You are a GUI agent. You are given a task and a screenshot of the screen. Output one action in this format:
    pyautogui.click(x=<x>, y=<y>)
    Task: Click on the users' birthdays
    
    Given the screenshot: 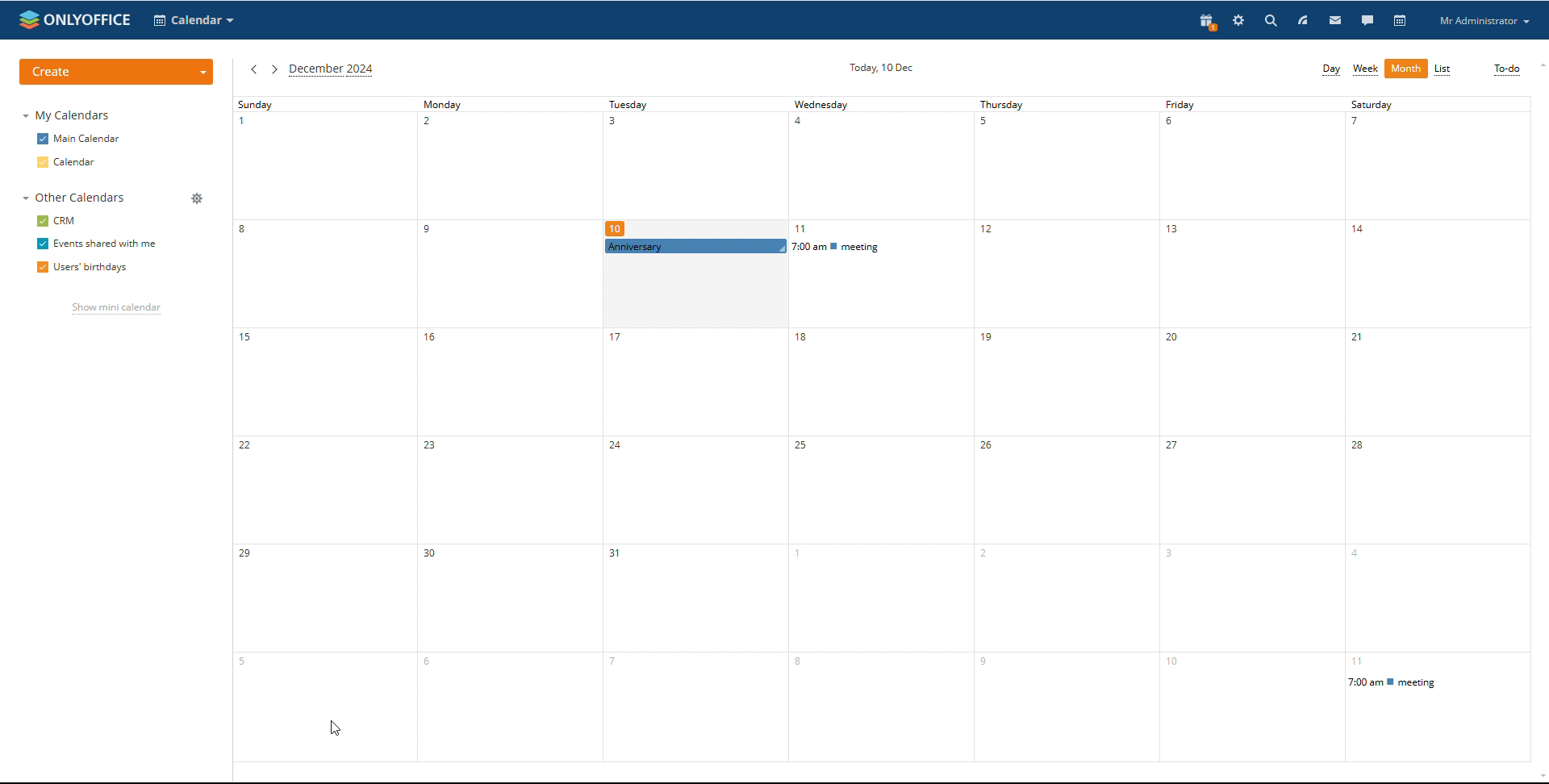 What is the action you would take?
    pyautogui.click(x=80, y=269)
    